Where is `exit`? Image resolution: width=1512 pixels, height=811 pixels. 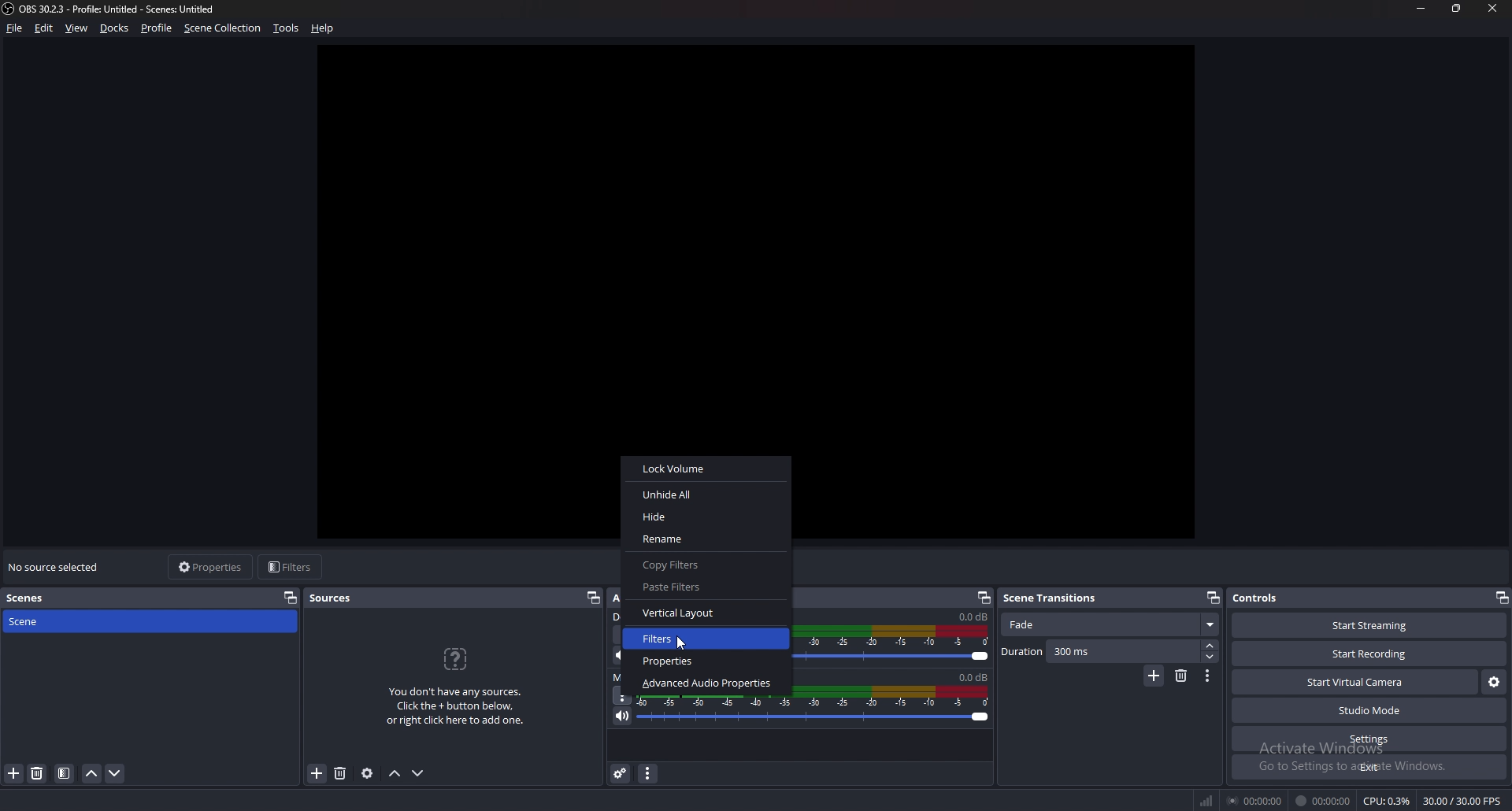
exit is located at coordinates (1368, 768).